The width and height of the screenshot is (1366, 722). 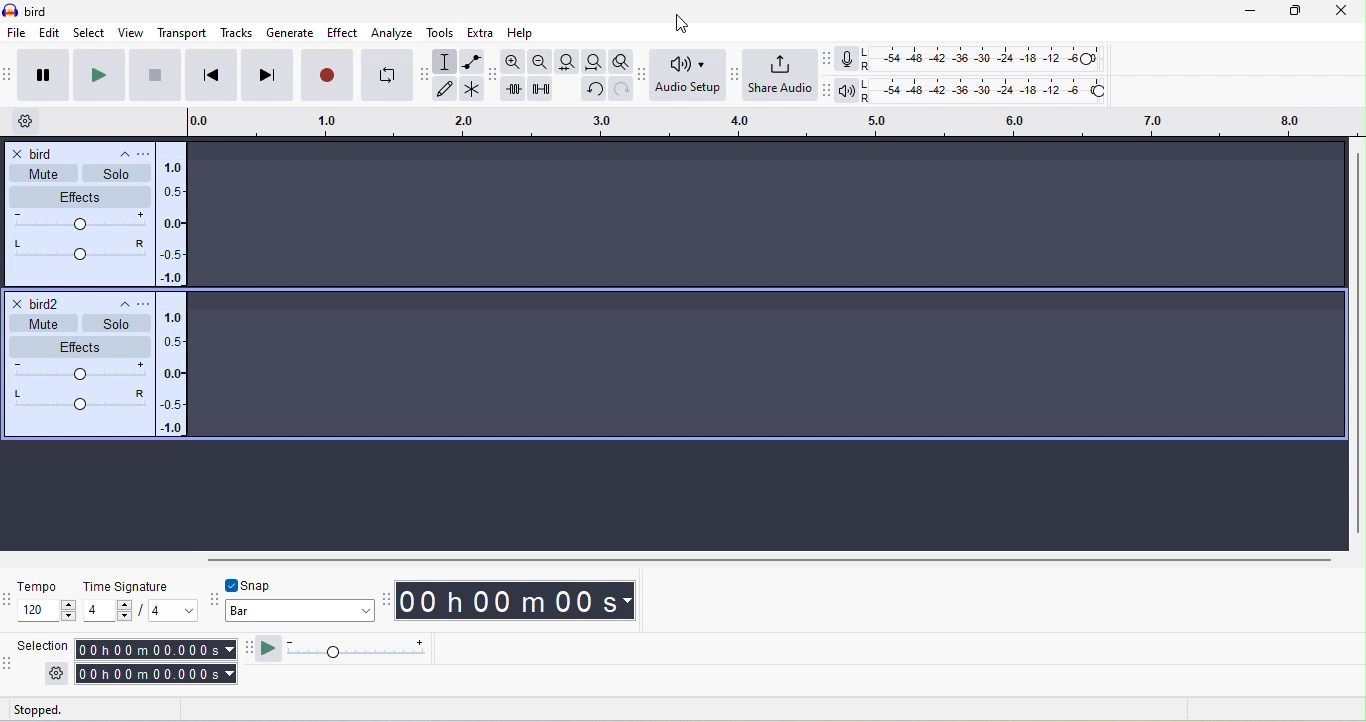 What do you see at coordinates (237, 34) in the screenshot?
I see `tracks` at bounding box center [237, 34].